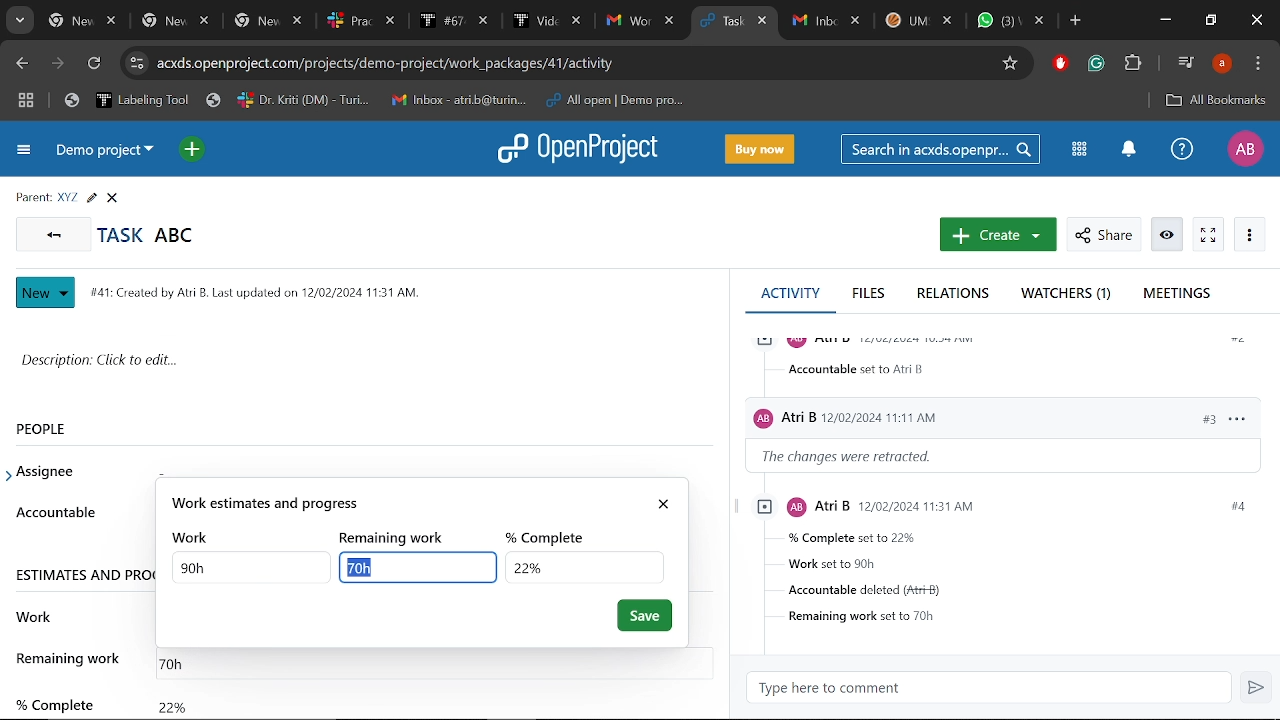 The width and height of the screenshot is (1280, 720). Describe the element at coordinates (1182, 151) in the screenshot. I see `Help` at that location.